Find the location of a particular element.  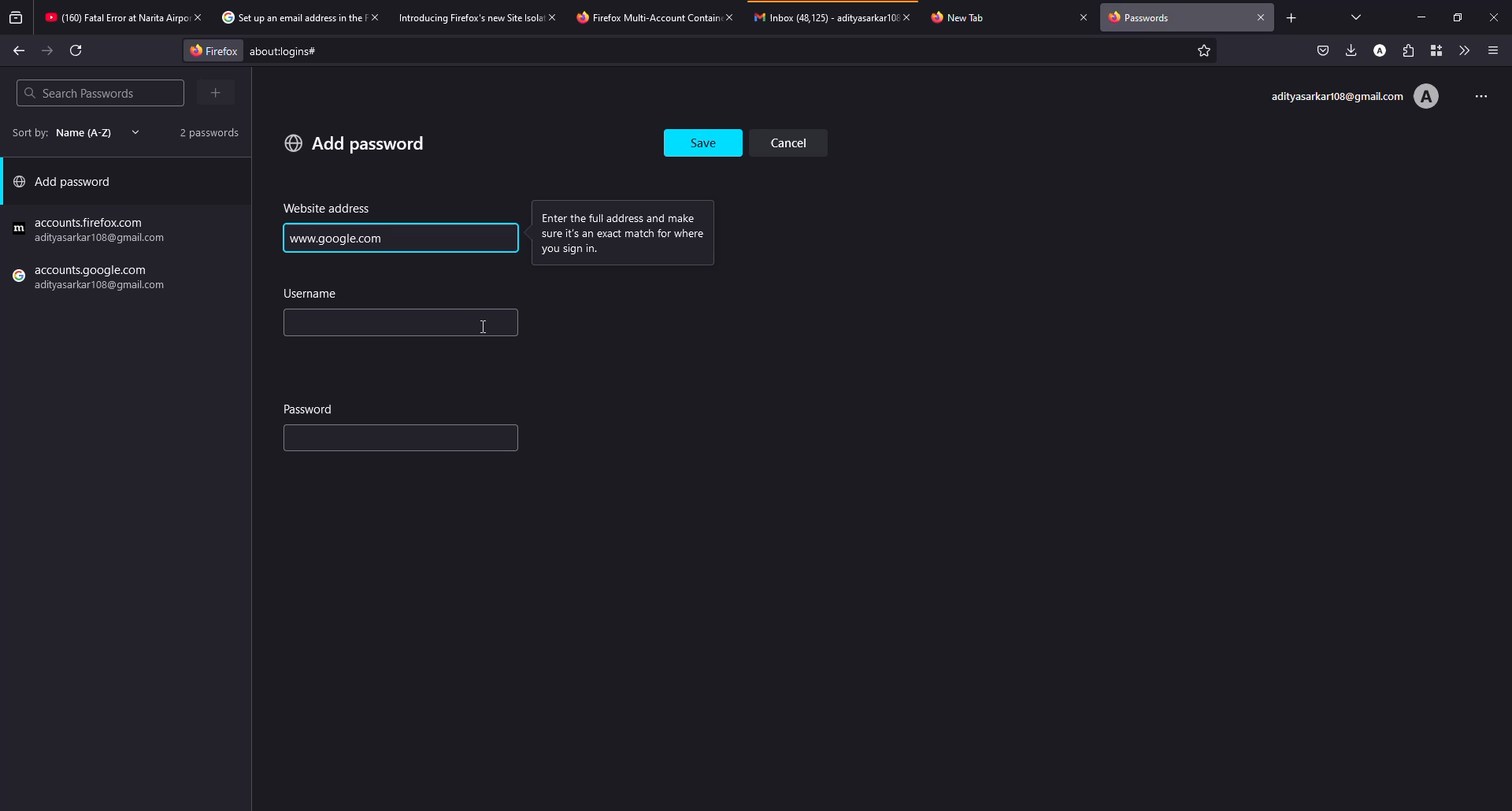

info is located at coordinates (631, 231).